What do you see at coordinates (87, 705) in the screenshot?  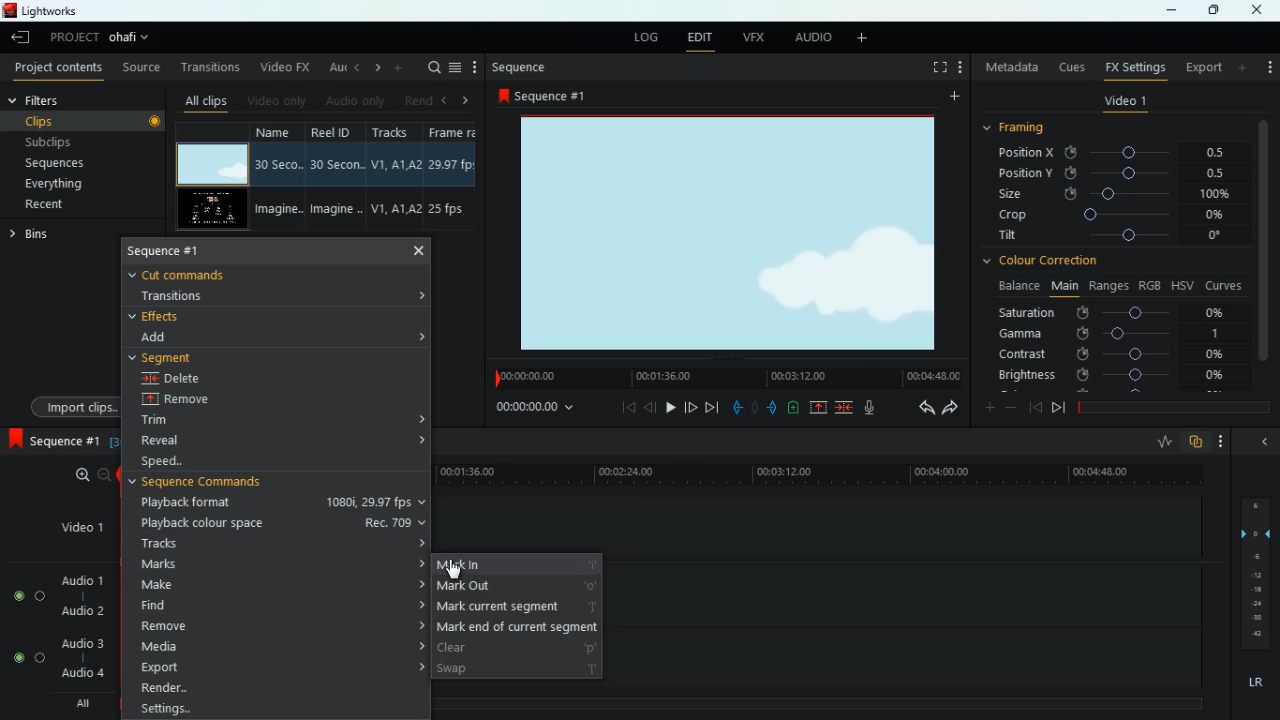 I see `All` at bounding box center [87, 705].